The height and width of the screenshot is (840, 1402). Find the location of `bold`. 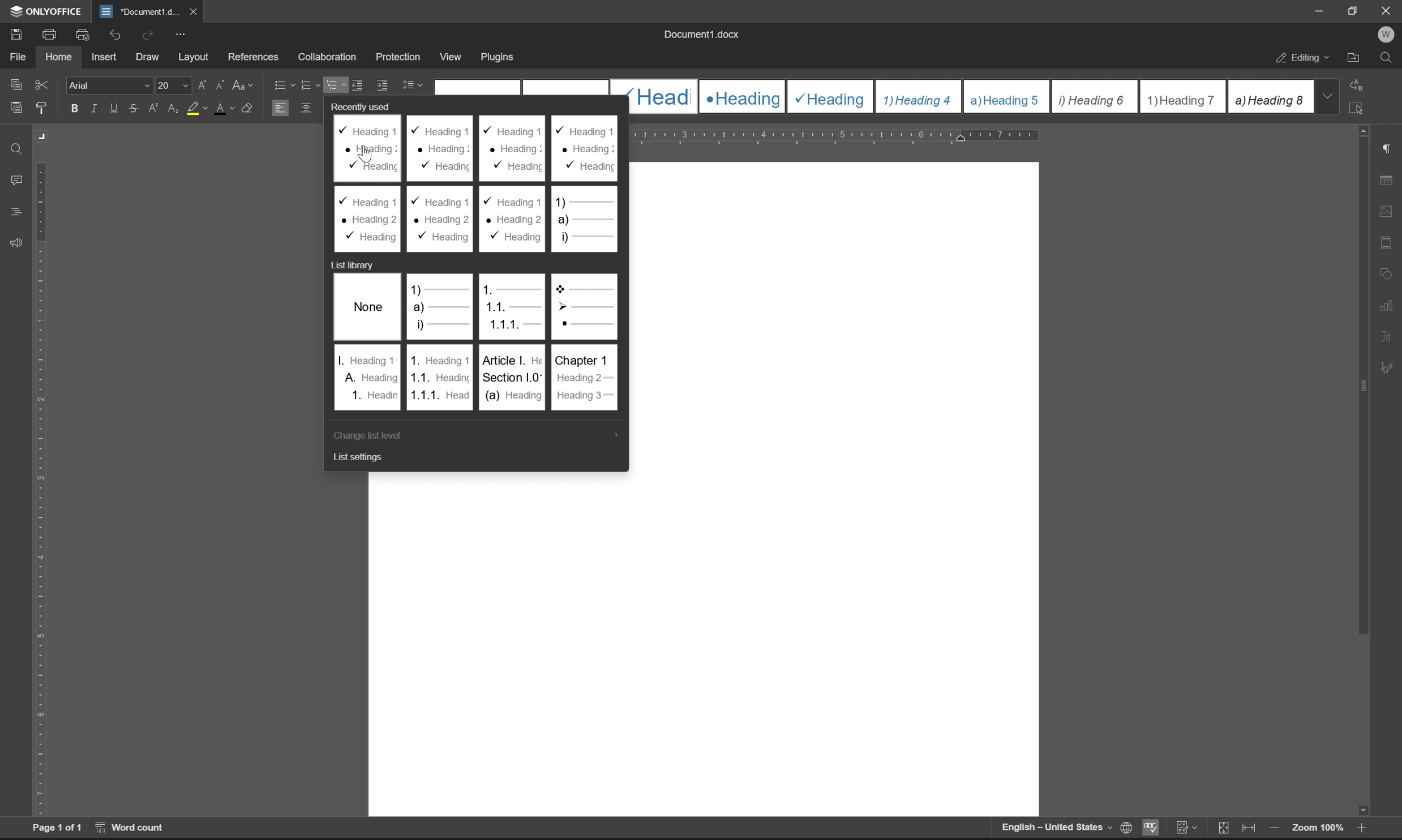

bold is located at coordinates (75, 109).